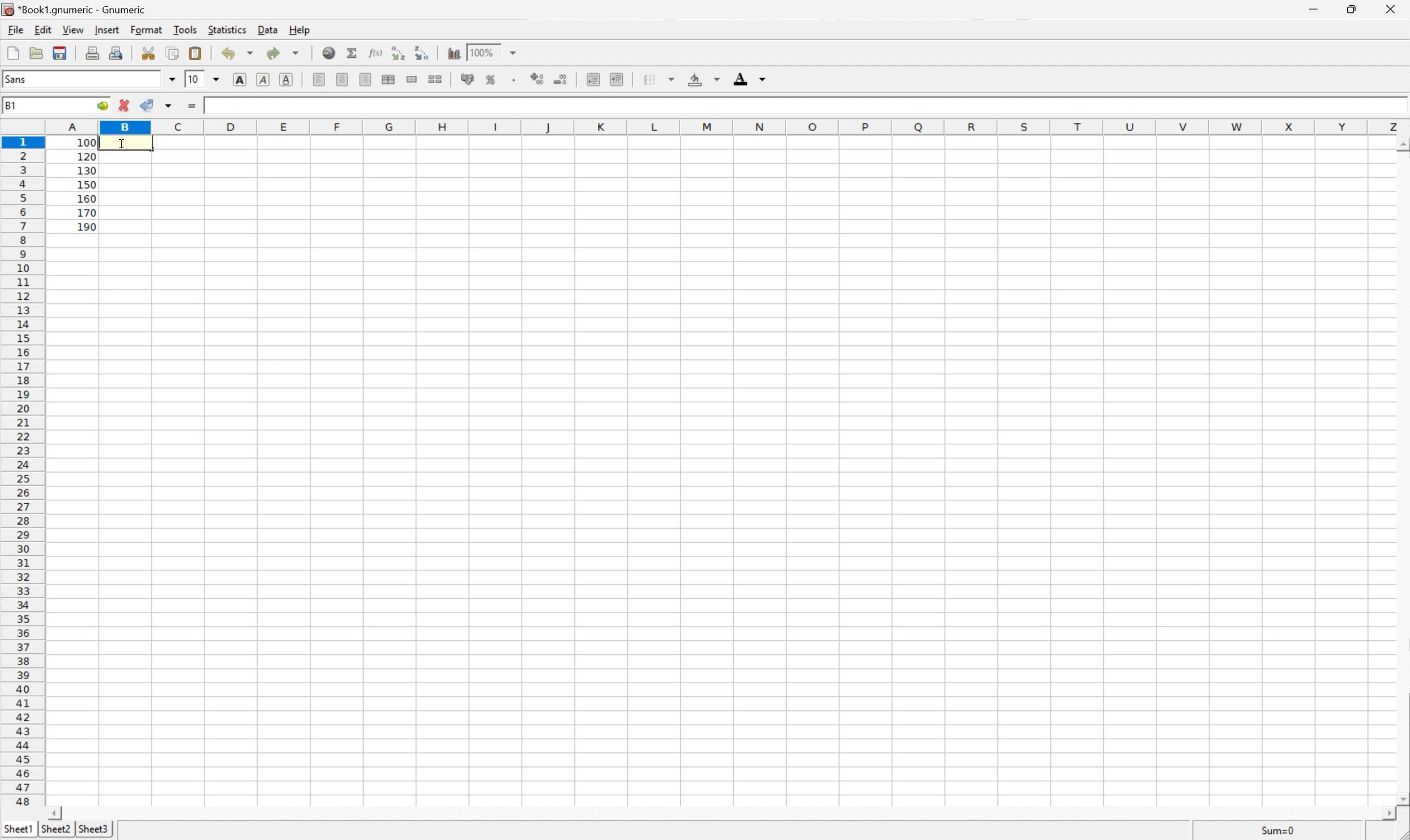 This screenshot has width=1410, height=840. I want to click on Sans, so click(17, 79).